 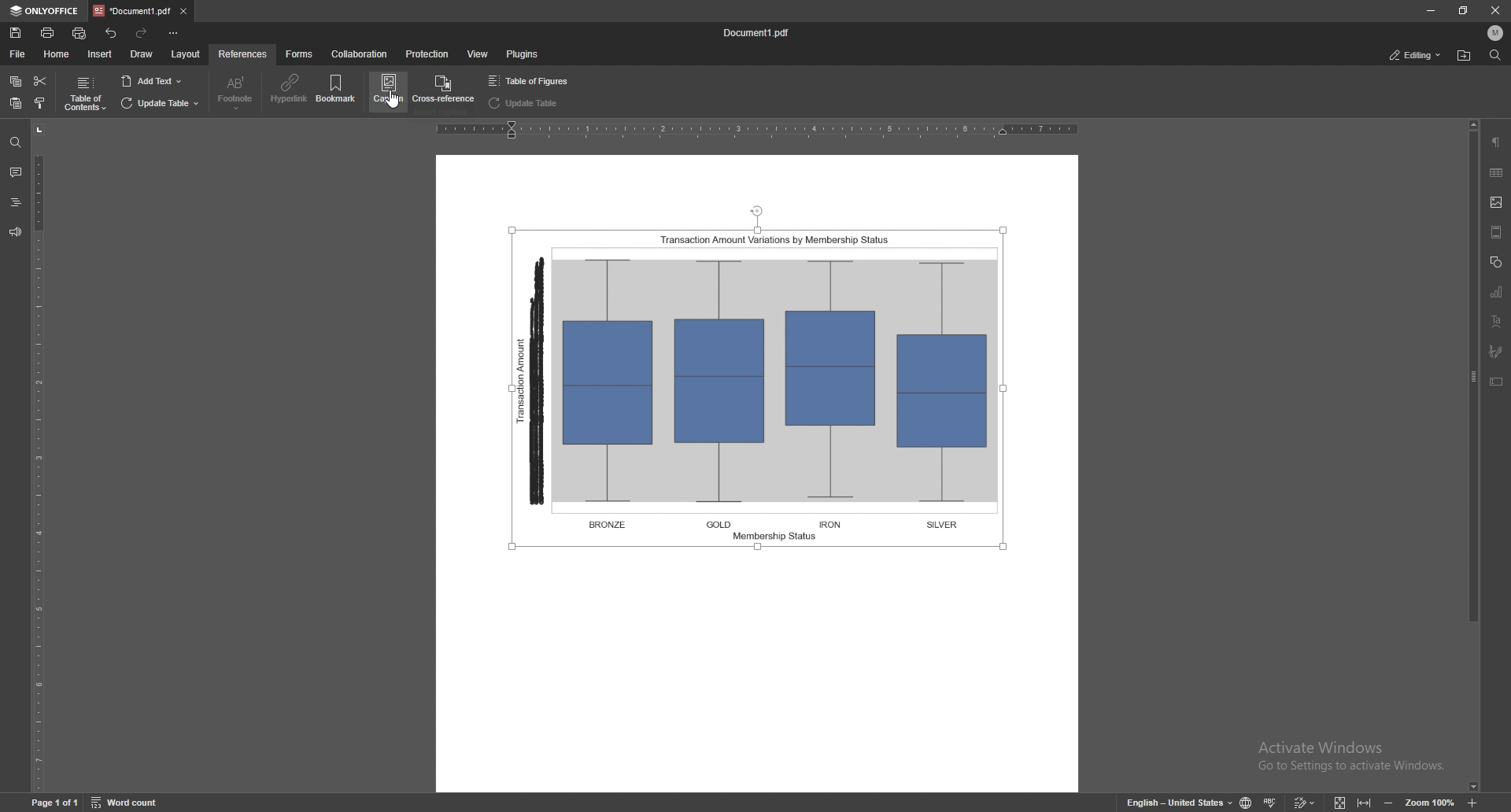 I want to click on print, so click(x=47, y=32).